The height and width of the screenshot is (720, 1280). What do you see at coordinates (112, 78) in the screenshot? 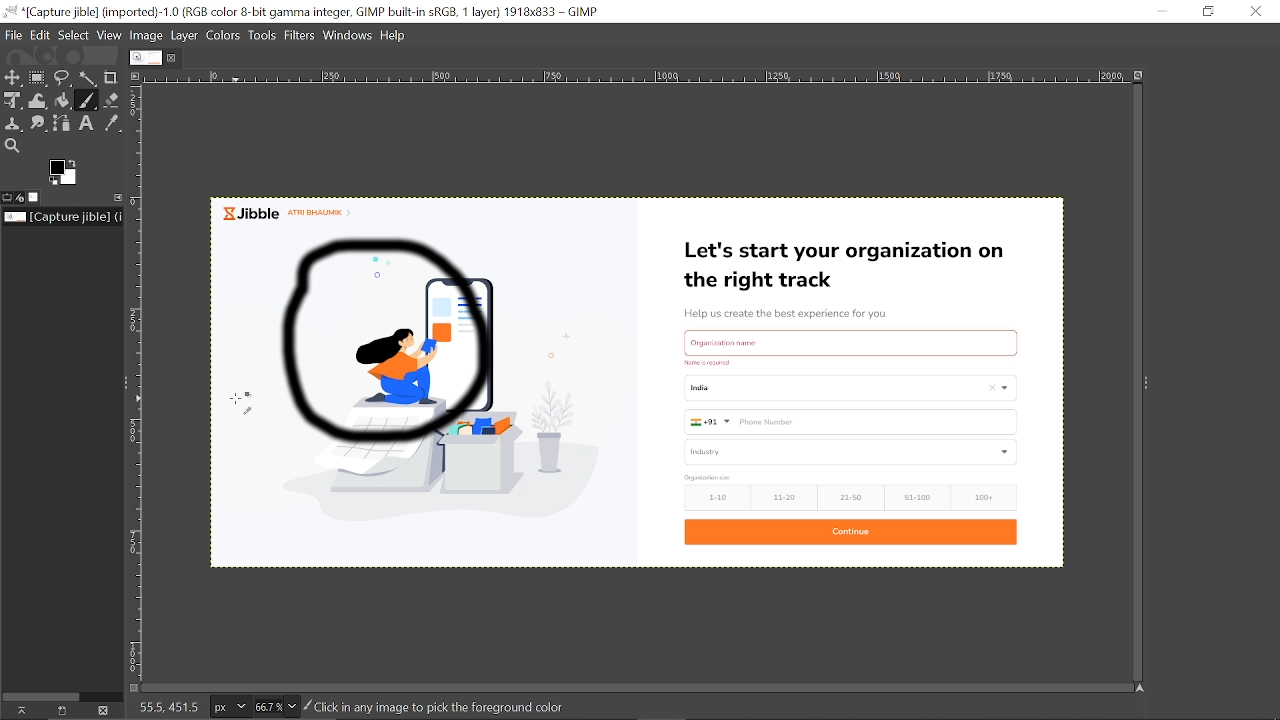
I see `Crop tool` at bounding box center [112, 78].